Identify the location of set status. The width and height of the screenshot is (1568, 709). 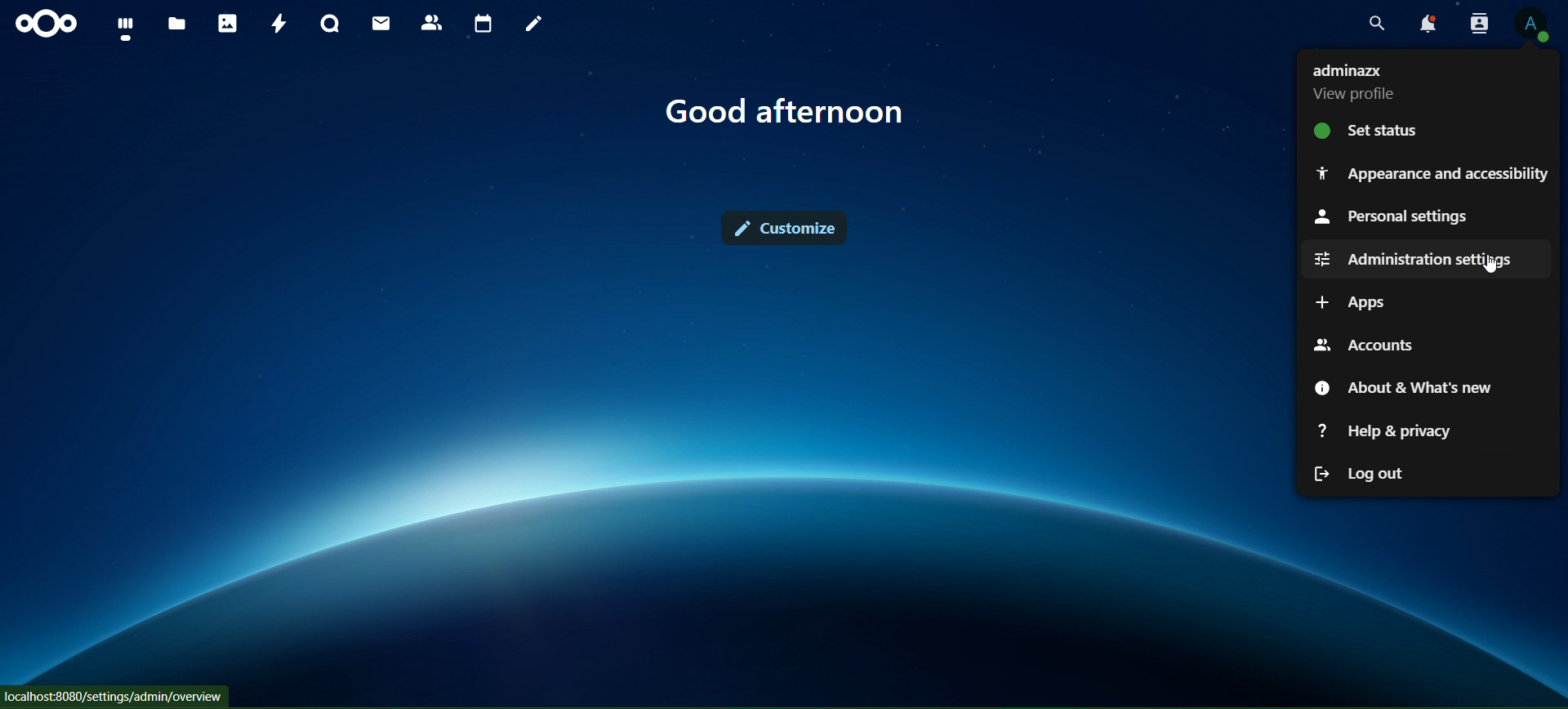
(1396, 130).